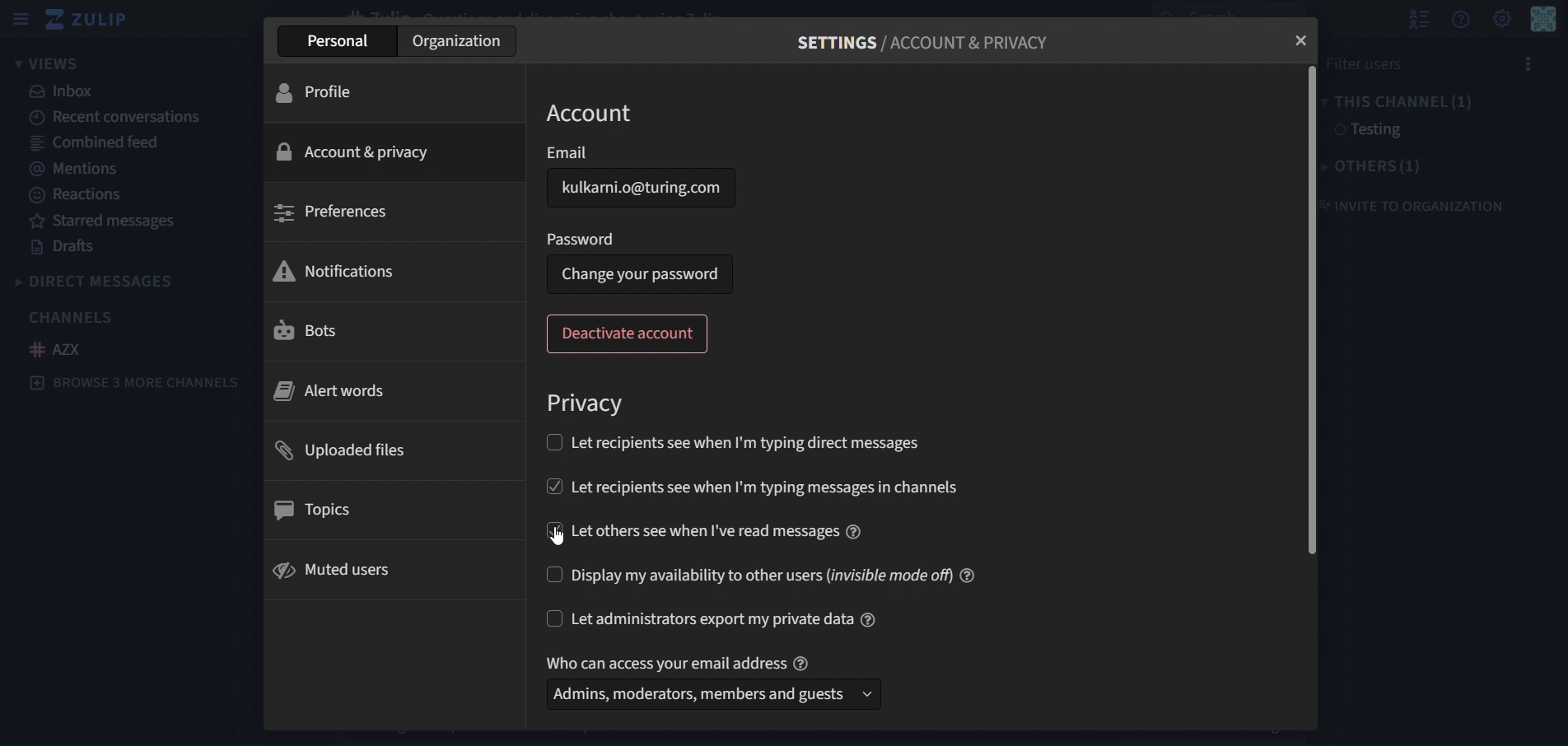 The image size is (1568, 746). Describe the element at coordinates (719, 529) in the screenshot. I see `let others seewhen I've read messages` at that location.